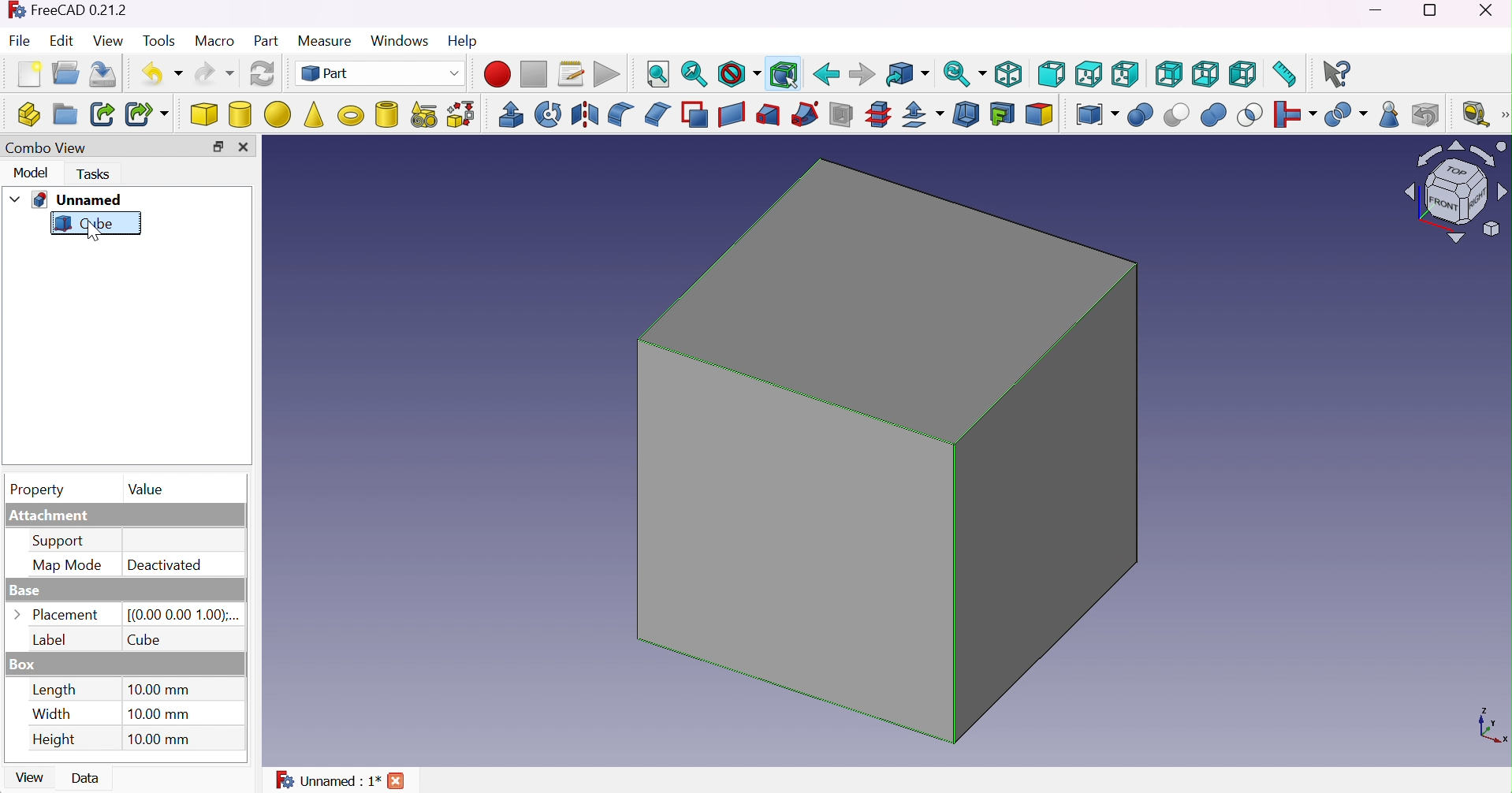 The height and width of the screenshot is (793, 1512). Describe the element at coordinates (1488, 724) in the screenshot. I see `x ,yaxis` at that location.